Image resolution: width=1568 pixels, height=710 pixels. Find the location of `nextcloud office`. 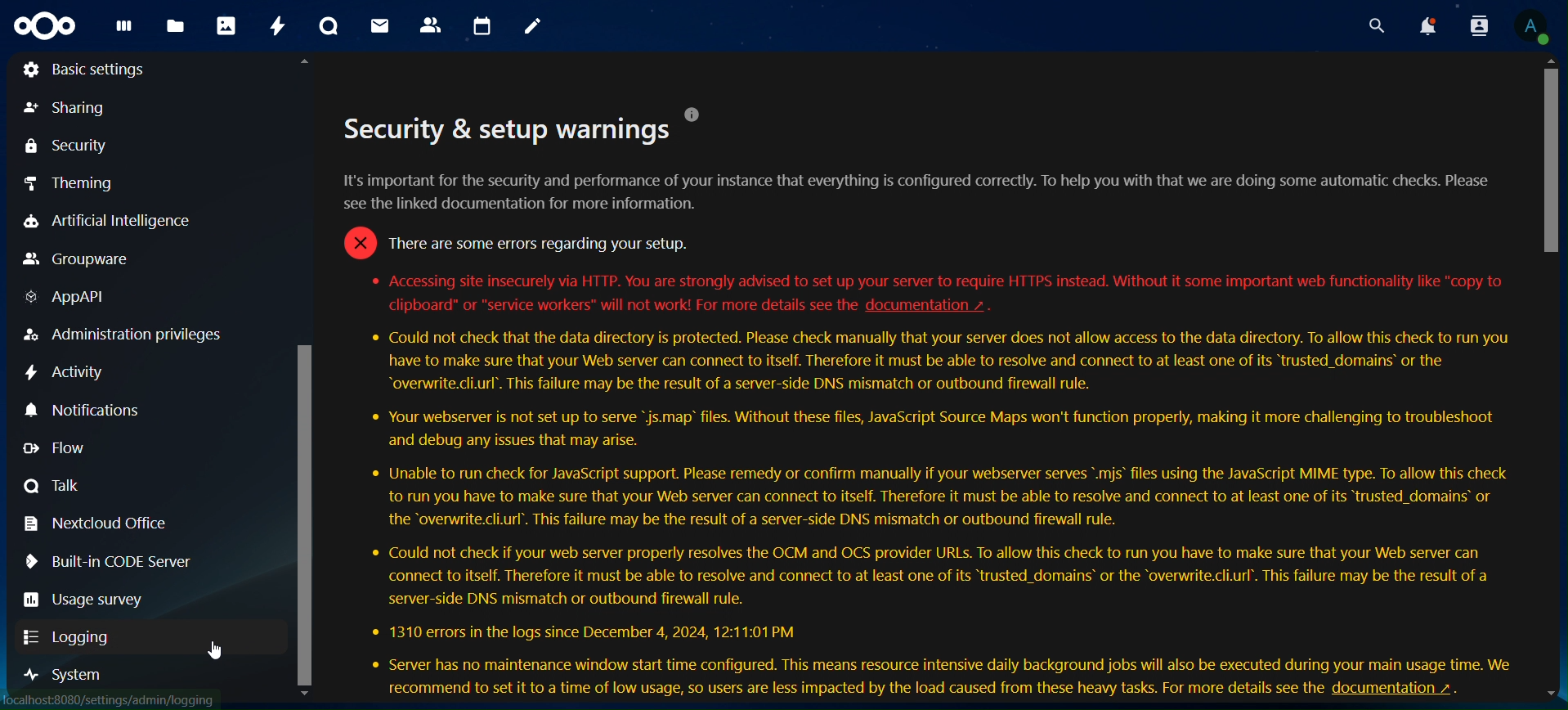

nextcloud office is located at coordinates (97, 524).